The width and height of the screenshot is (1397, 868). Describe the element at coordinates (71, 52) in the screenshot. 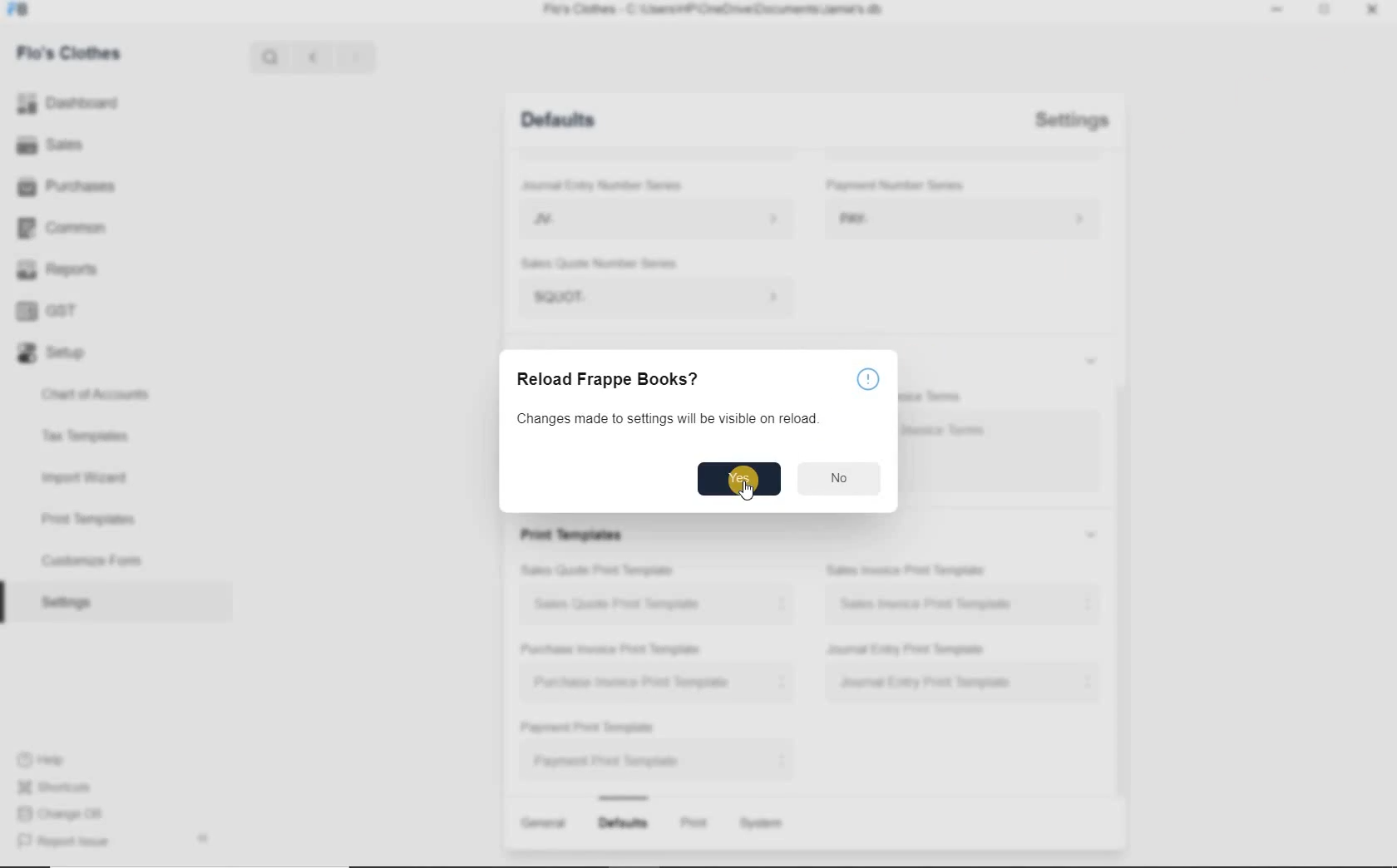

I see `Flo's Clothes` at that location.